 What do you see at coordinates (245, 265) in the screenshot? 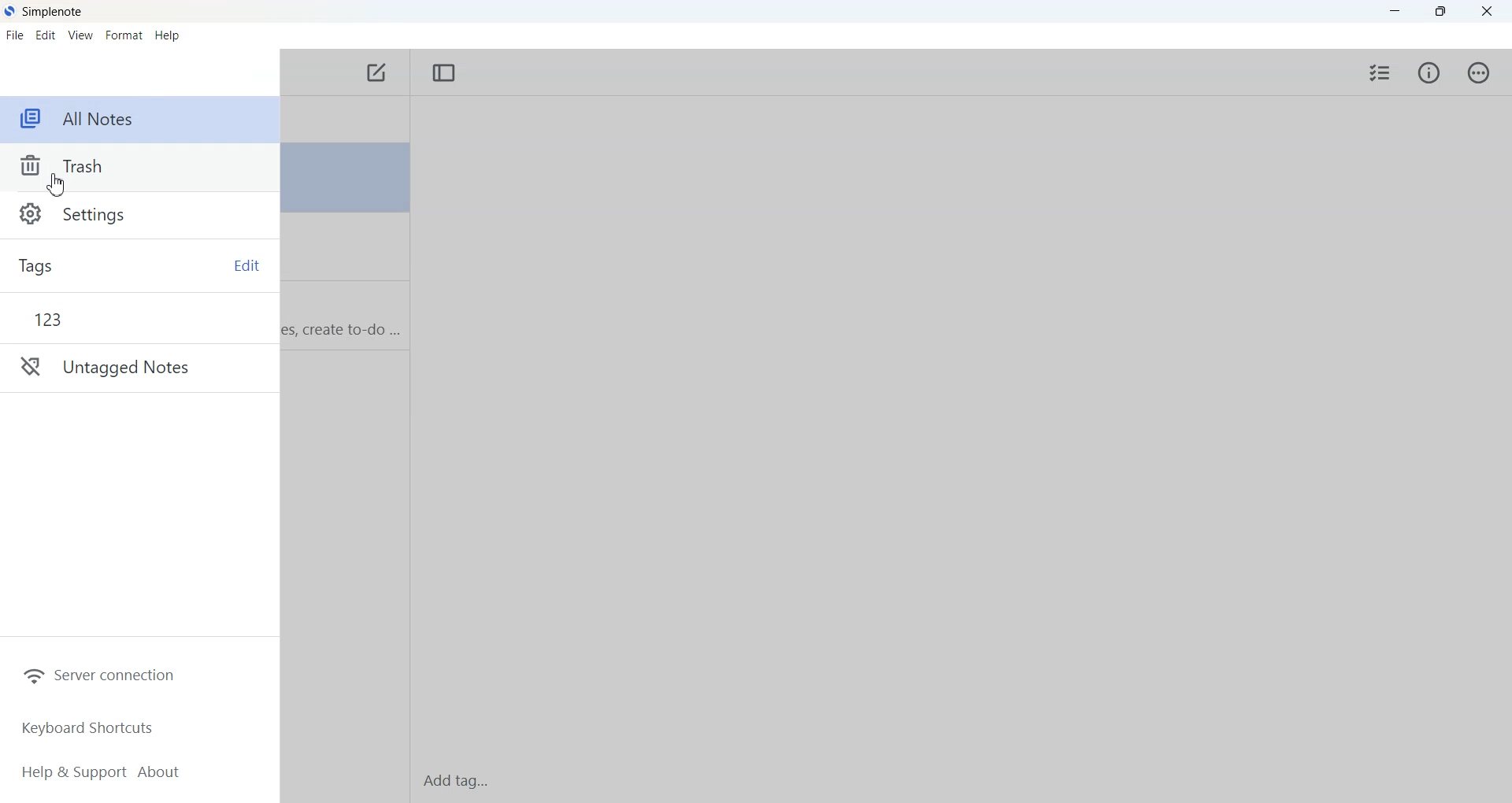
I see `Edit` at bounding box center [245, 265].